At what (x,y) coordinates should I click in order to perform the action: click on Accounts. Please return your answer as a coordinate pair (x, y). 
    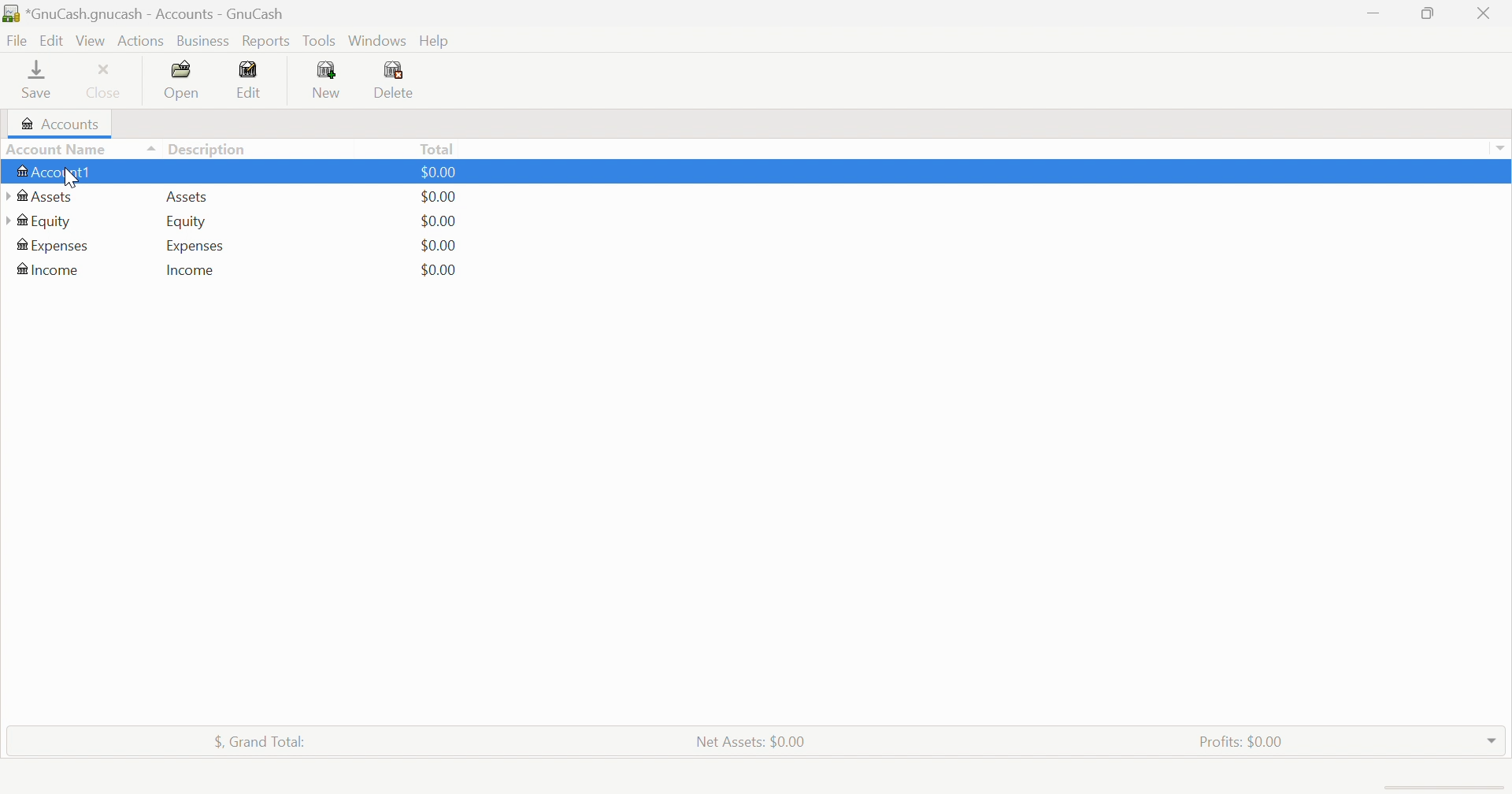
    Looking at the image, I should click on (62, 124).